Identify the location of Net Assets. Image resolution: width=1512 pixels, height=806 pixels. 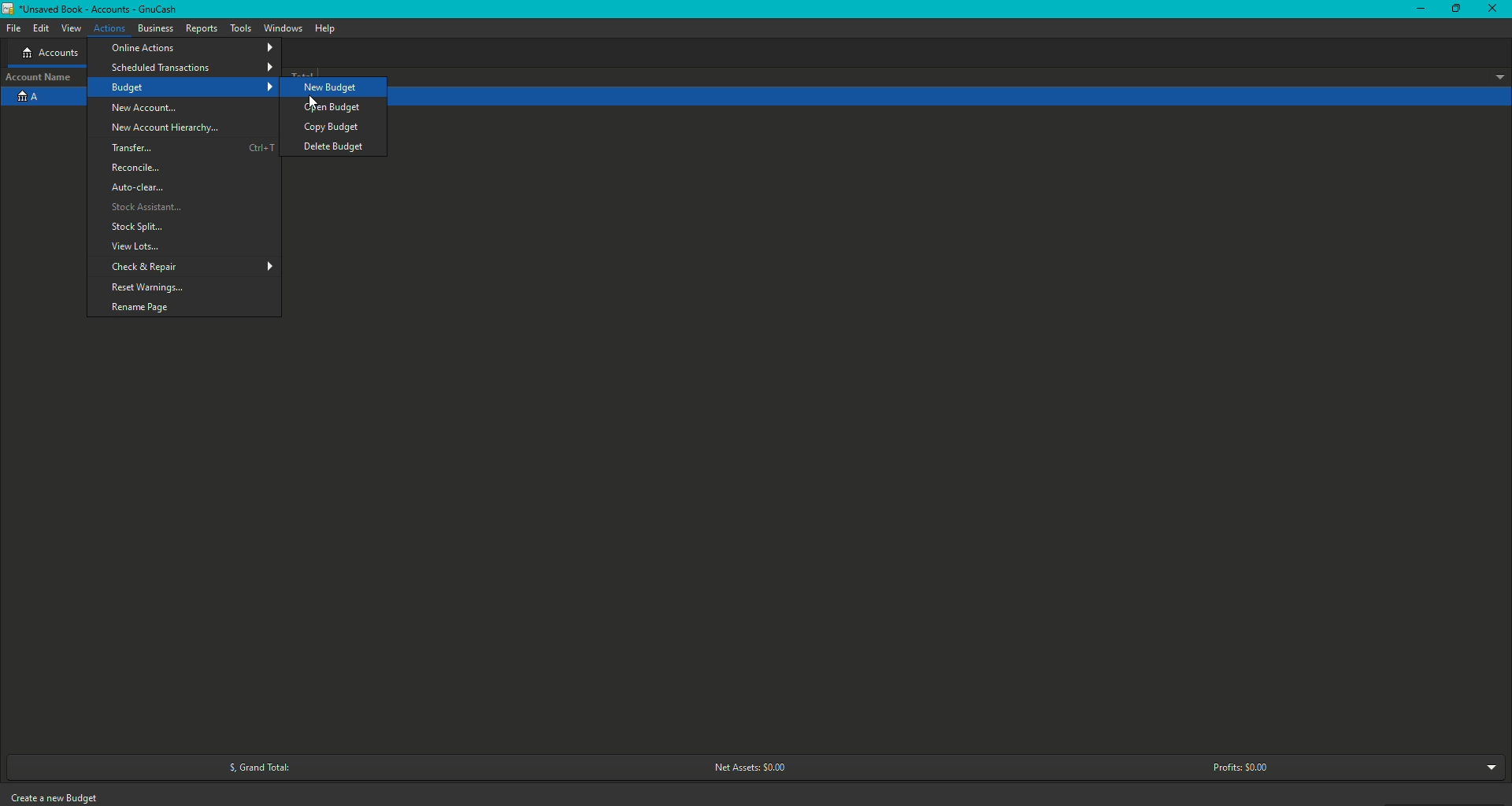
(747, 767).